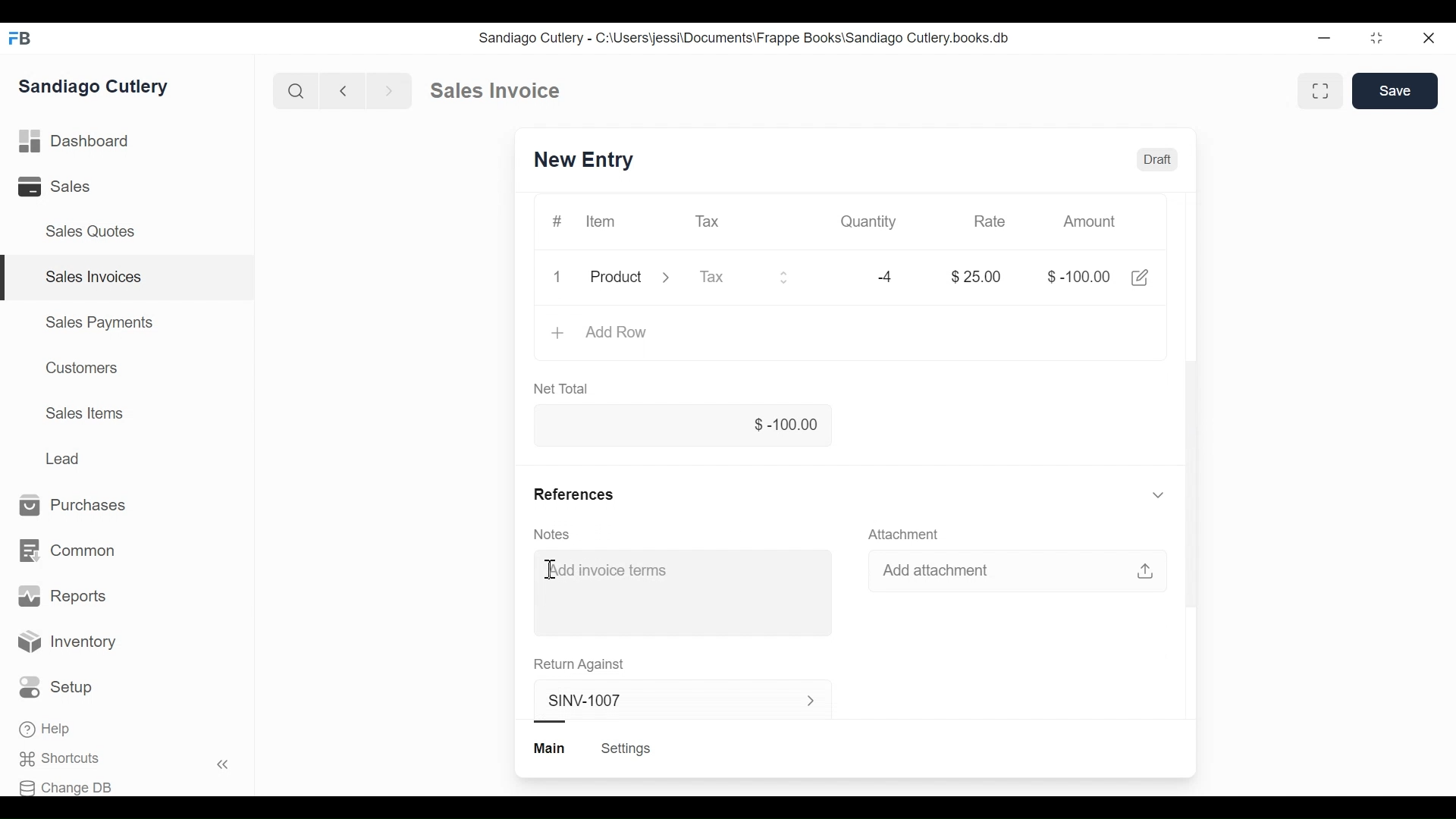  I want to click on -4, so click(886, 276).